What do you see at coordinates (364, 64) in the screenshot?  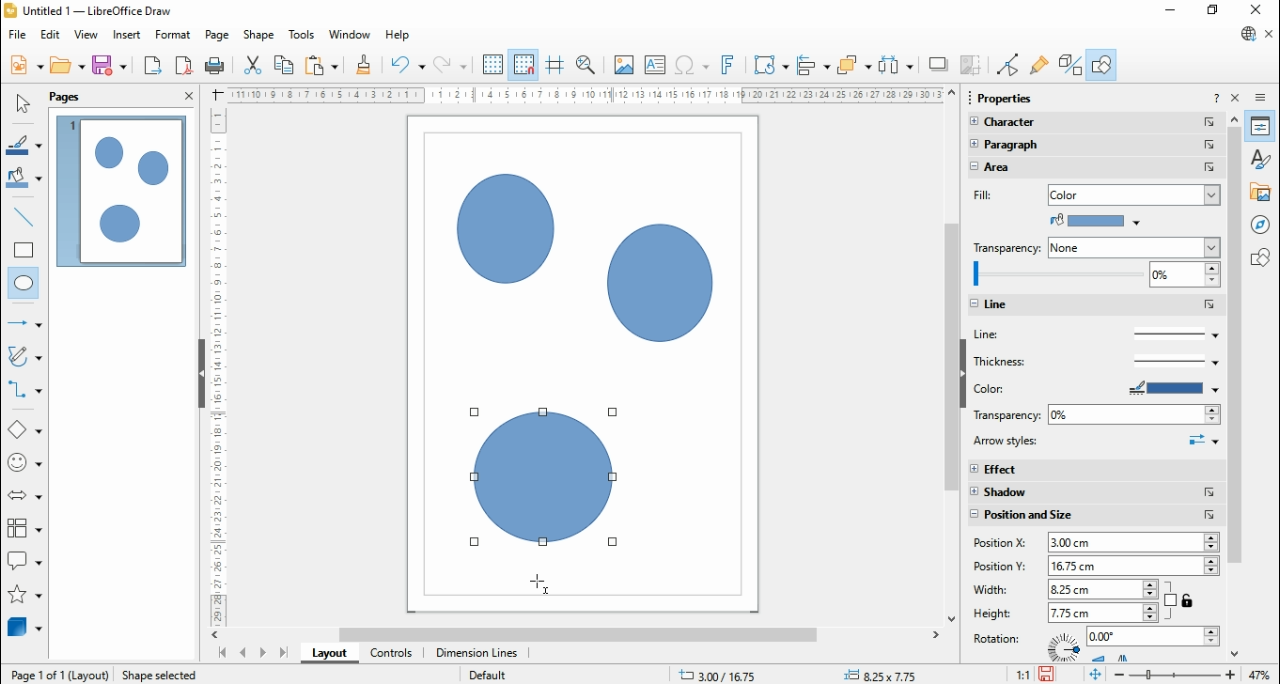 I see `clone formatting` at bounding box center [364, 64].